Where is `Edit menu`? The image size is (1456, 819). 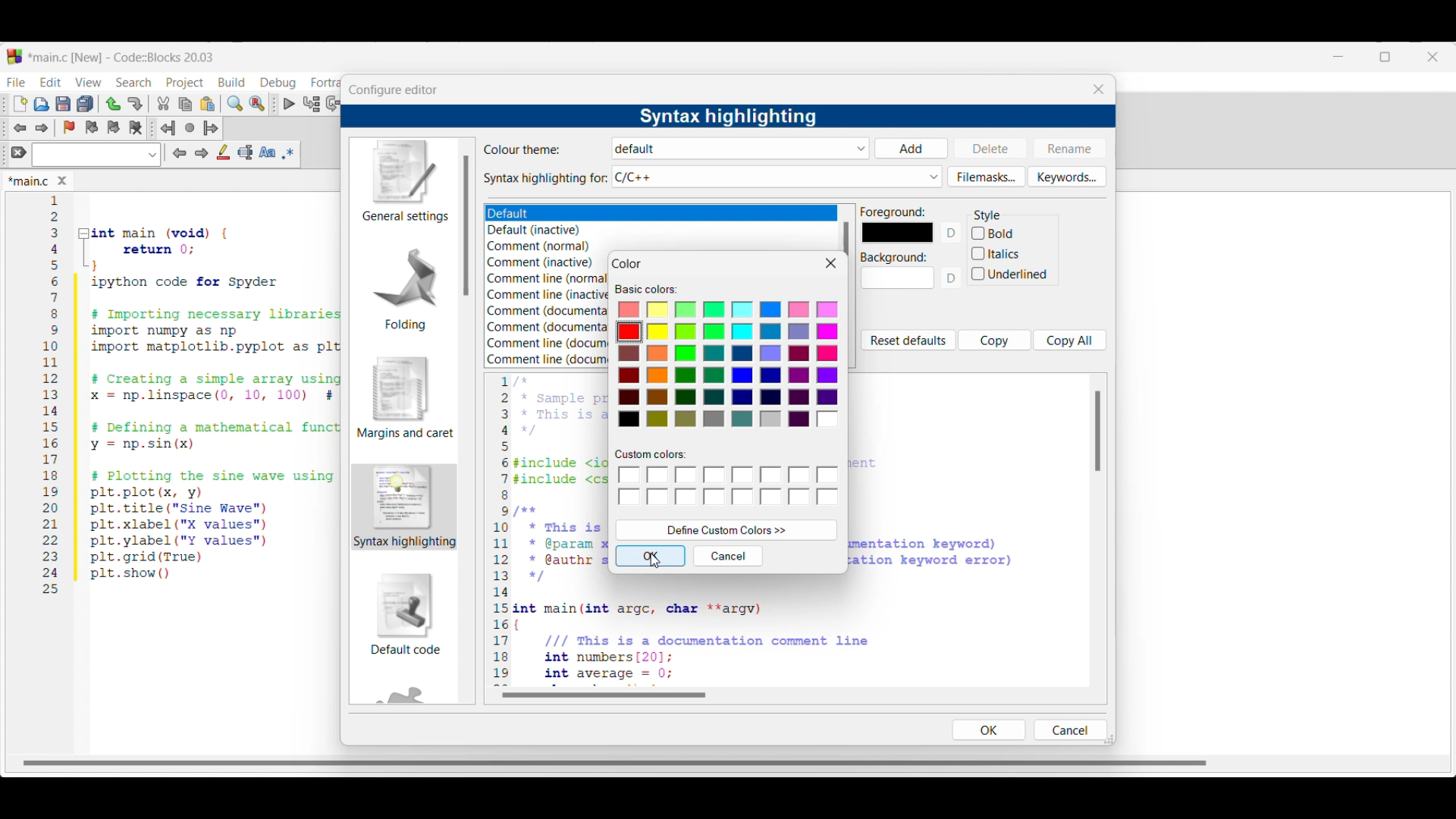
Edit menu is located at coordinates (52, 82).